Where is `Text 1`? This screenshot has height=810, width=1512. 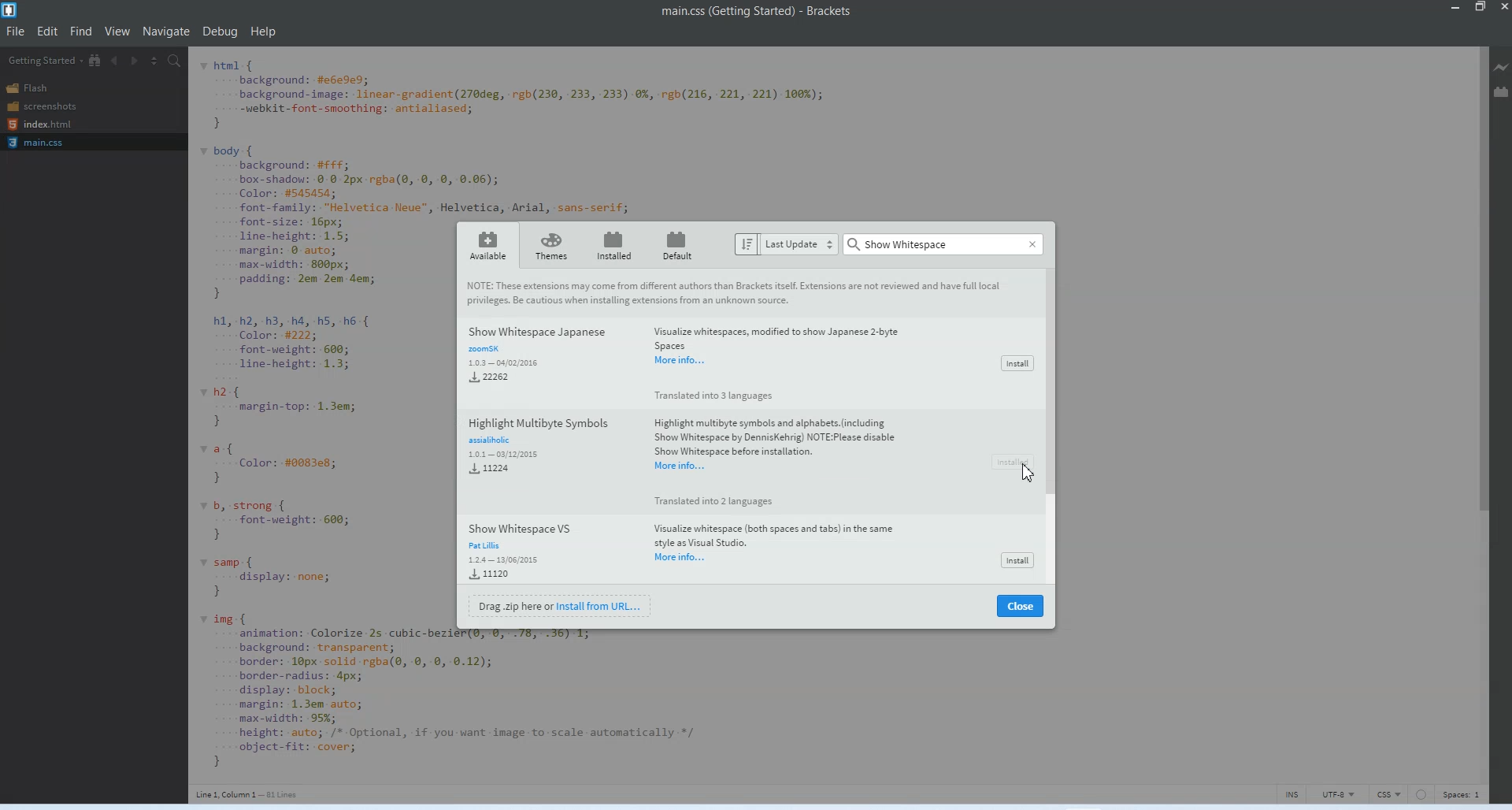 Text 1 is located at coordinates (751, 14).